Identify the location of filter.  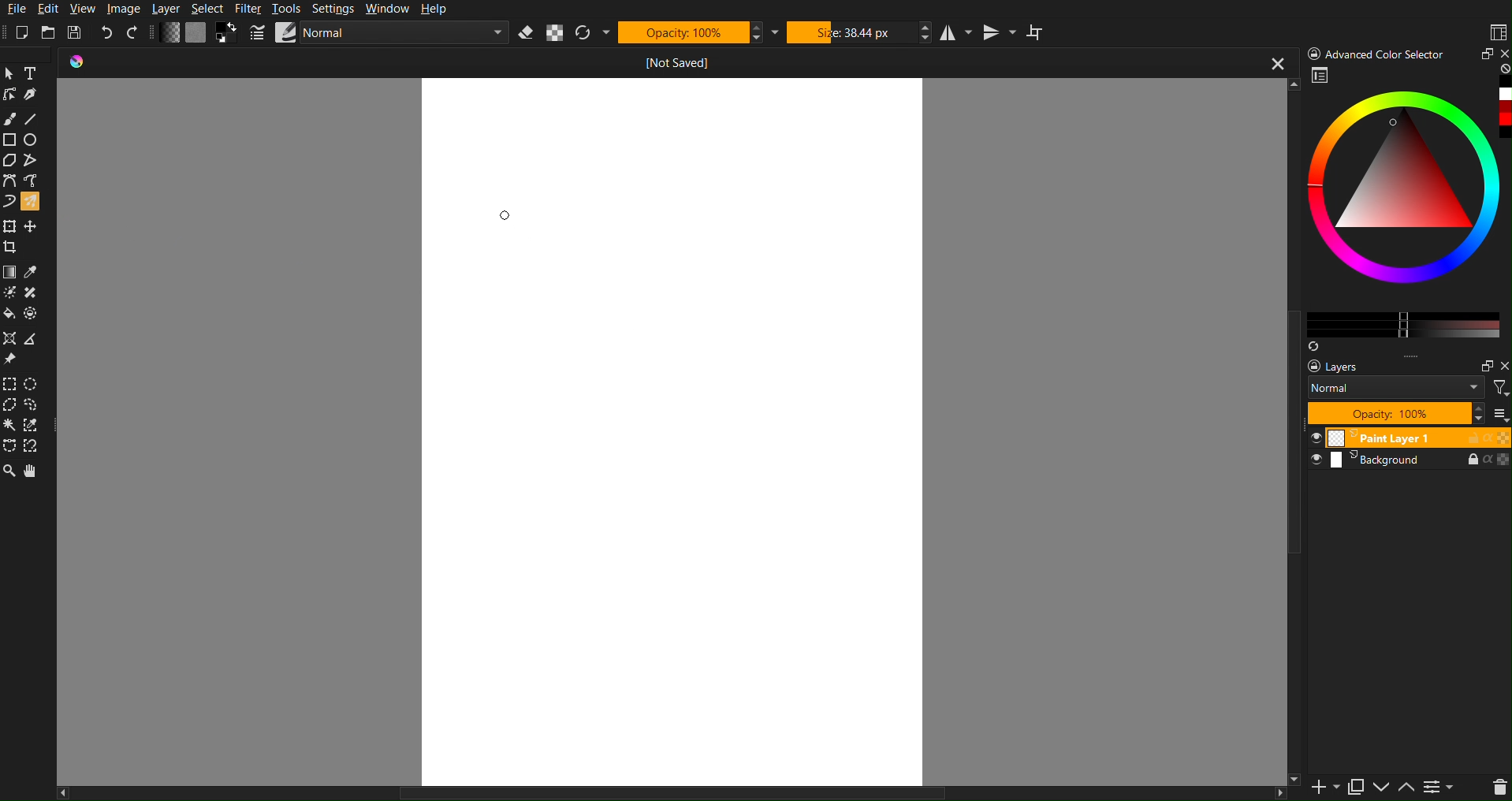
(1499, 387).